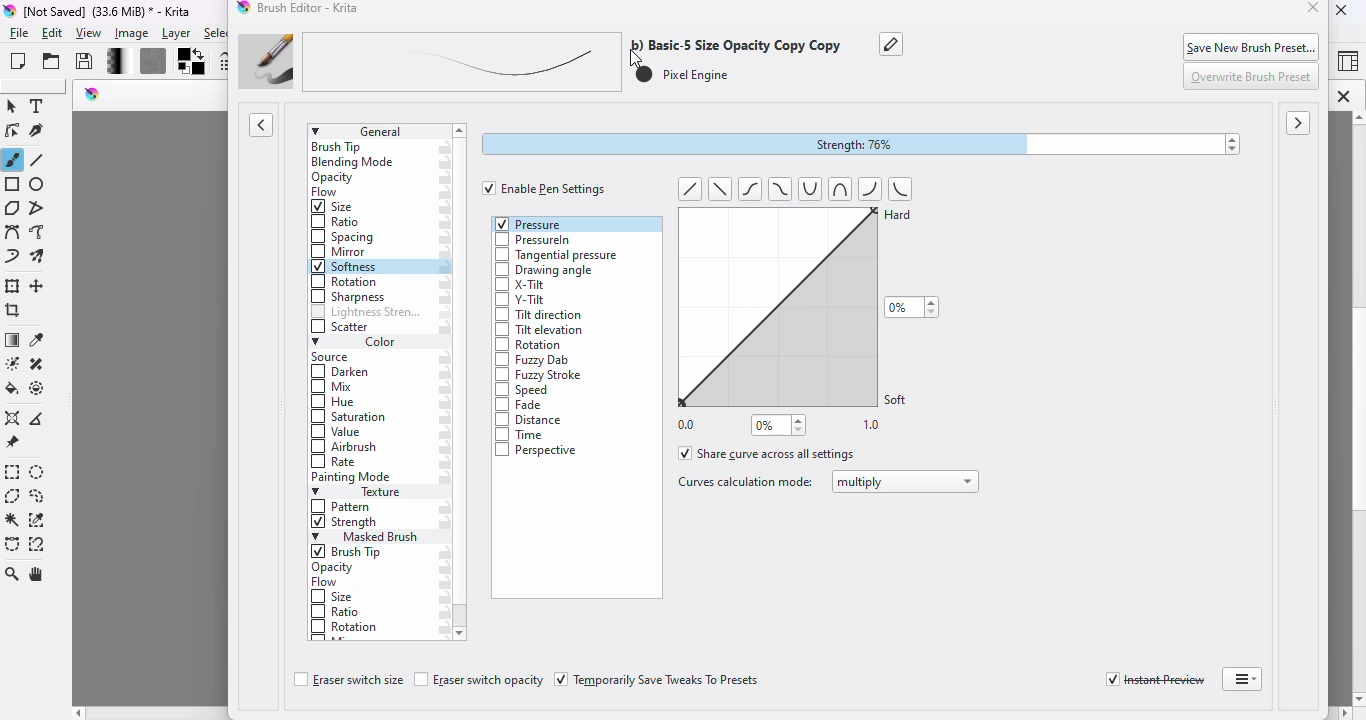 This screenshot has width=1366, height=720. I want to click on contiguous selection tool, so click(13, 521).